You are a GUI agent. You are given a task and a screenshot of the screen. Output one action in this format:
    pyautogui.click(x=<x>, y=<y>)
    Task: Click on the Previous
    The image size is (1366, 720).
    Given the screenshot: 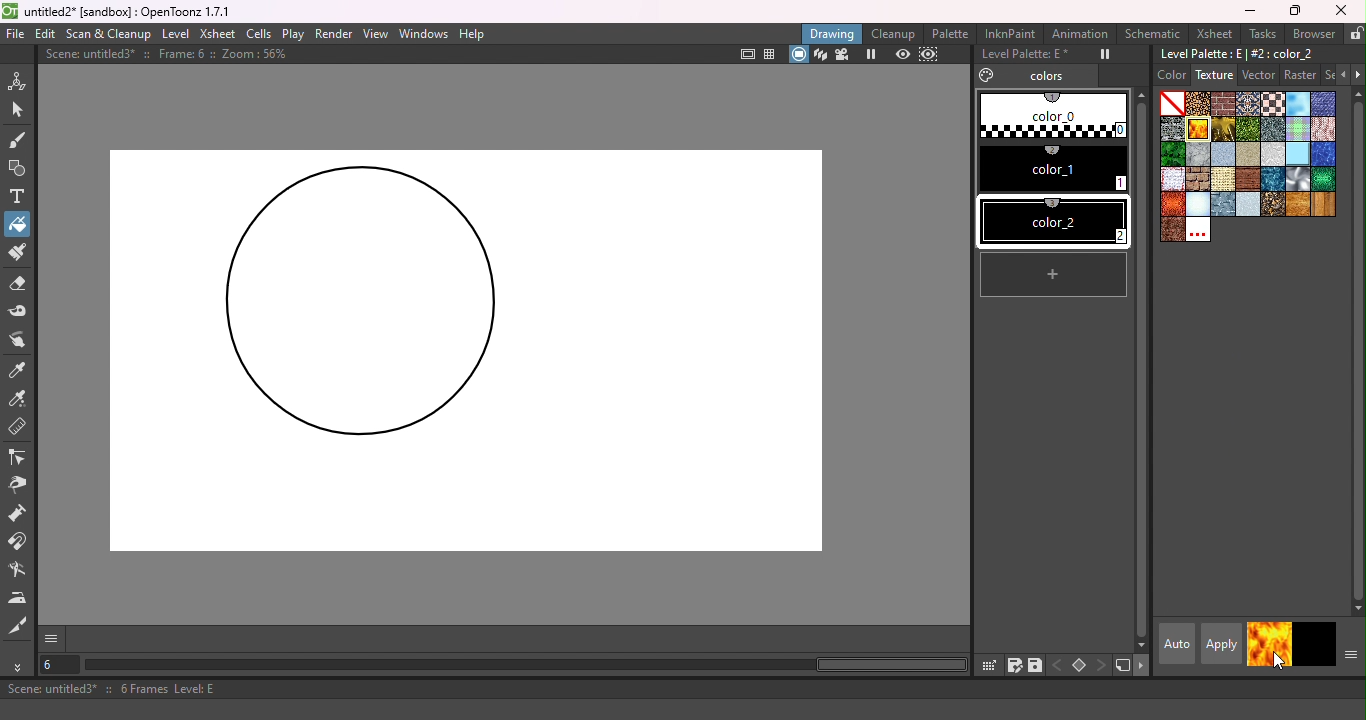 What is the action you would take?
    pyautogui.click(x=1339, y=74)
    